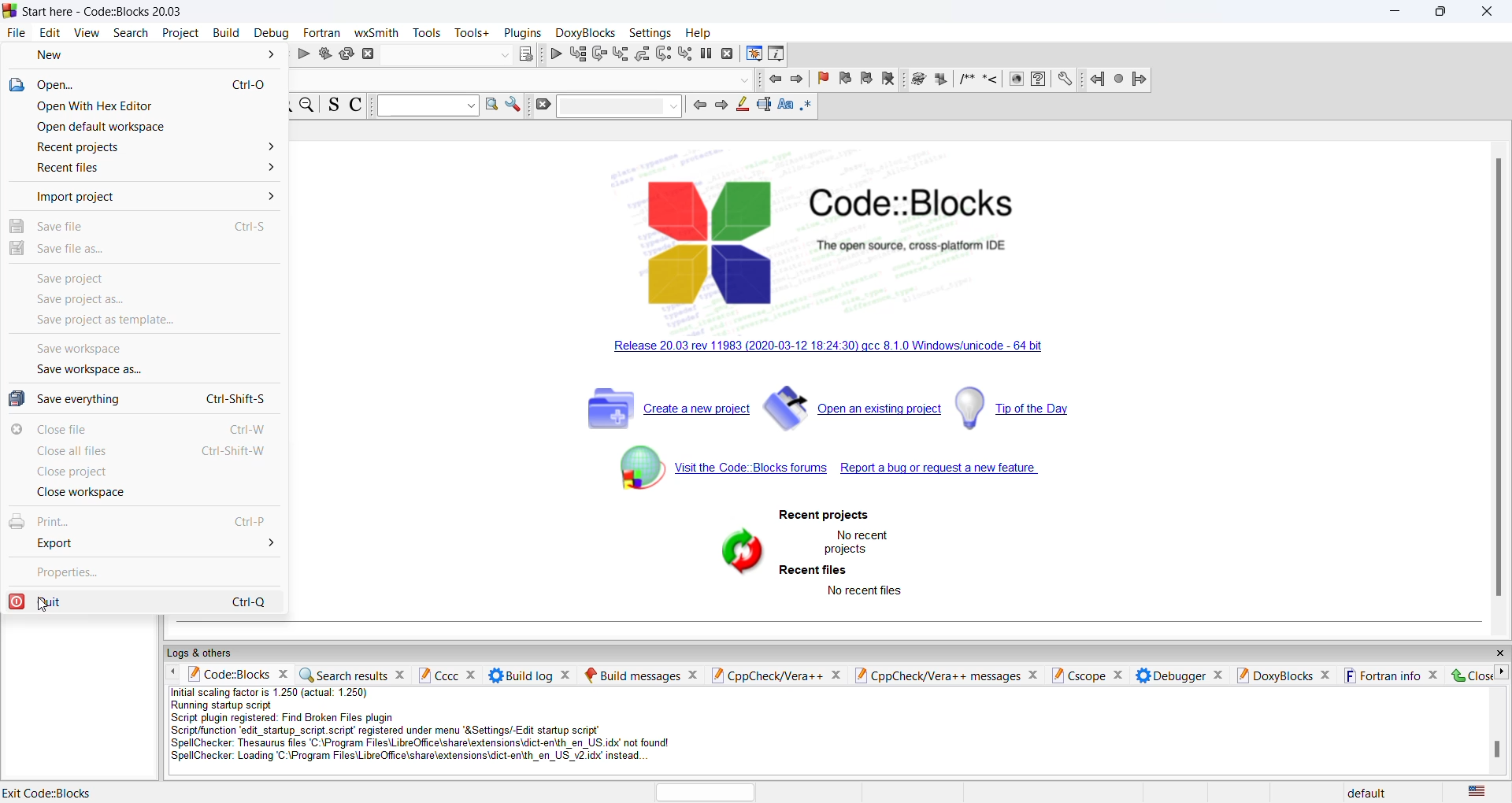 This screenshot has width=1512, height=803. Describe the element at coordinates (1038, 80) in the screenshot. I see `faq` at that location.